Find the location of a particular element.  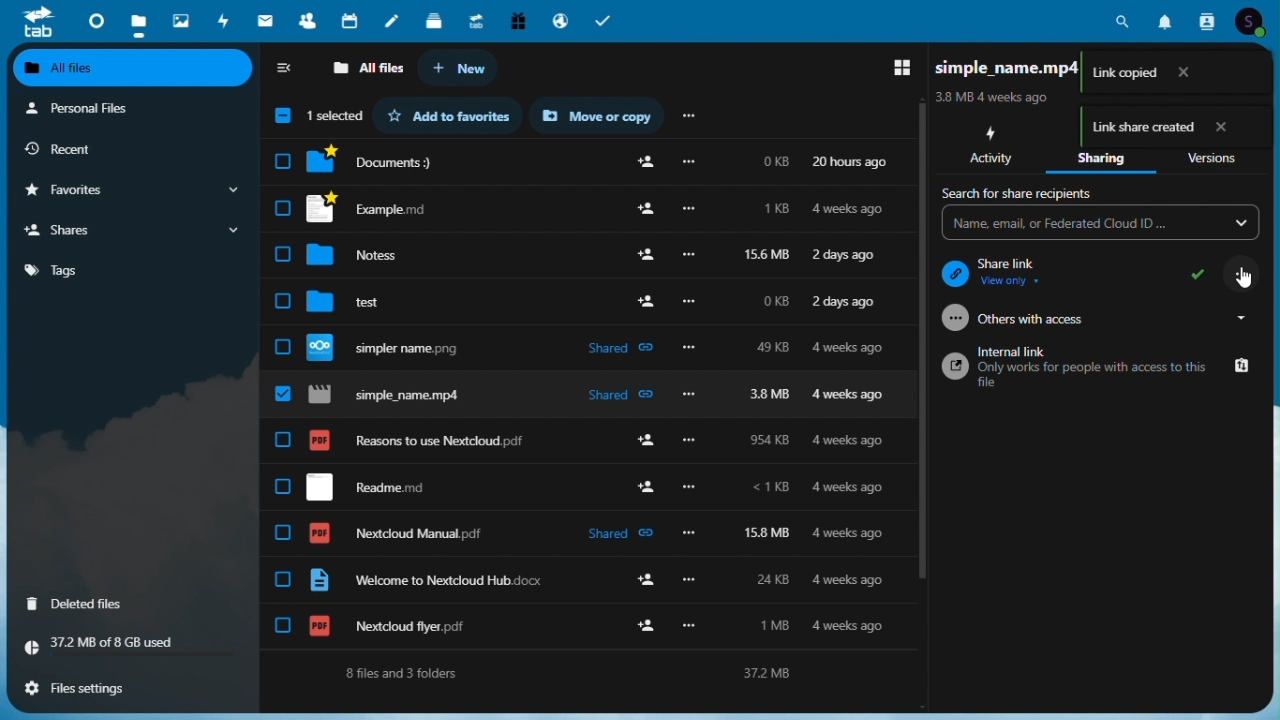

Vertical scroll bar is located at coordinates (1272, 371).